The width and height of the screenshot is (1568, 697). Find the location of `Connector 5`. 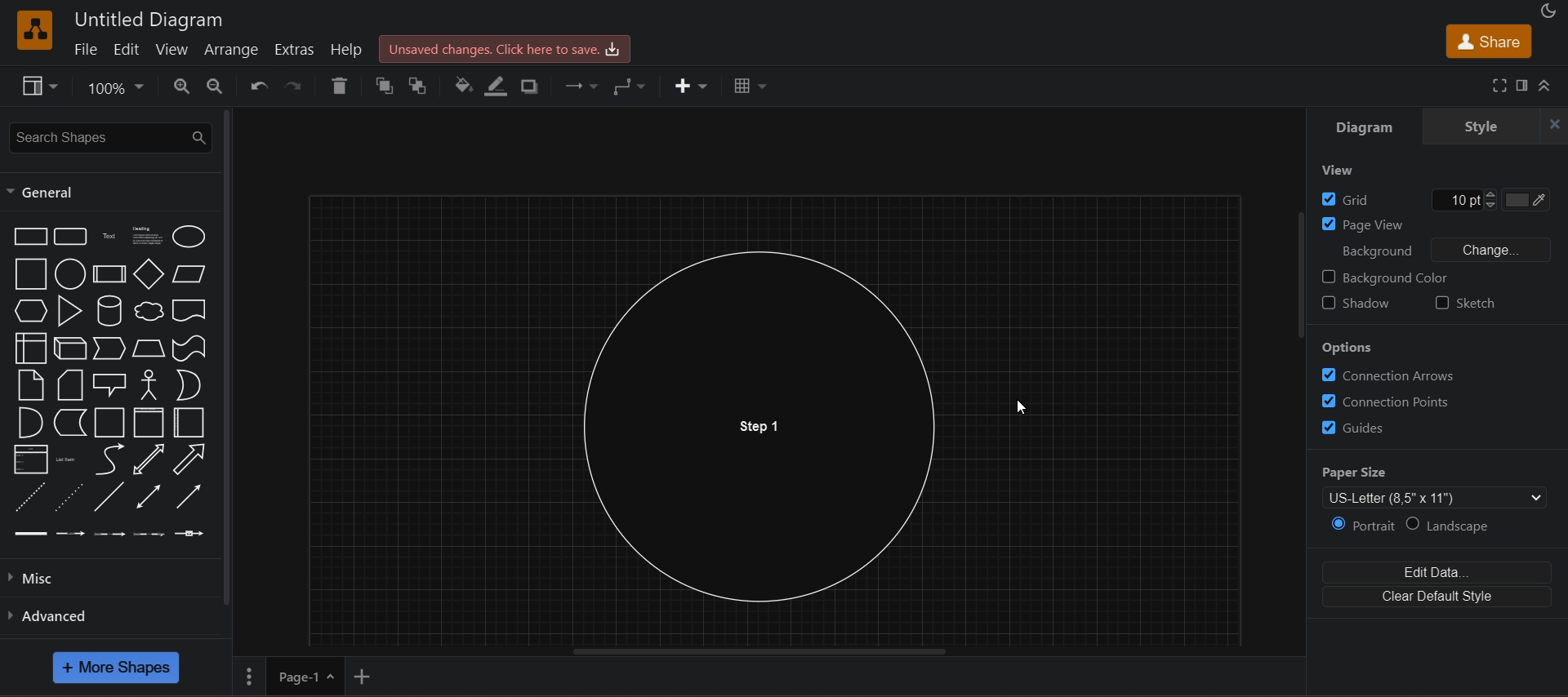

Connector 5 is located at coordinates (189, 534).